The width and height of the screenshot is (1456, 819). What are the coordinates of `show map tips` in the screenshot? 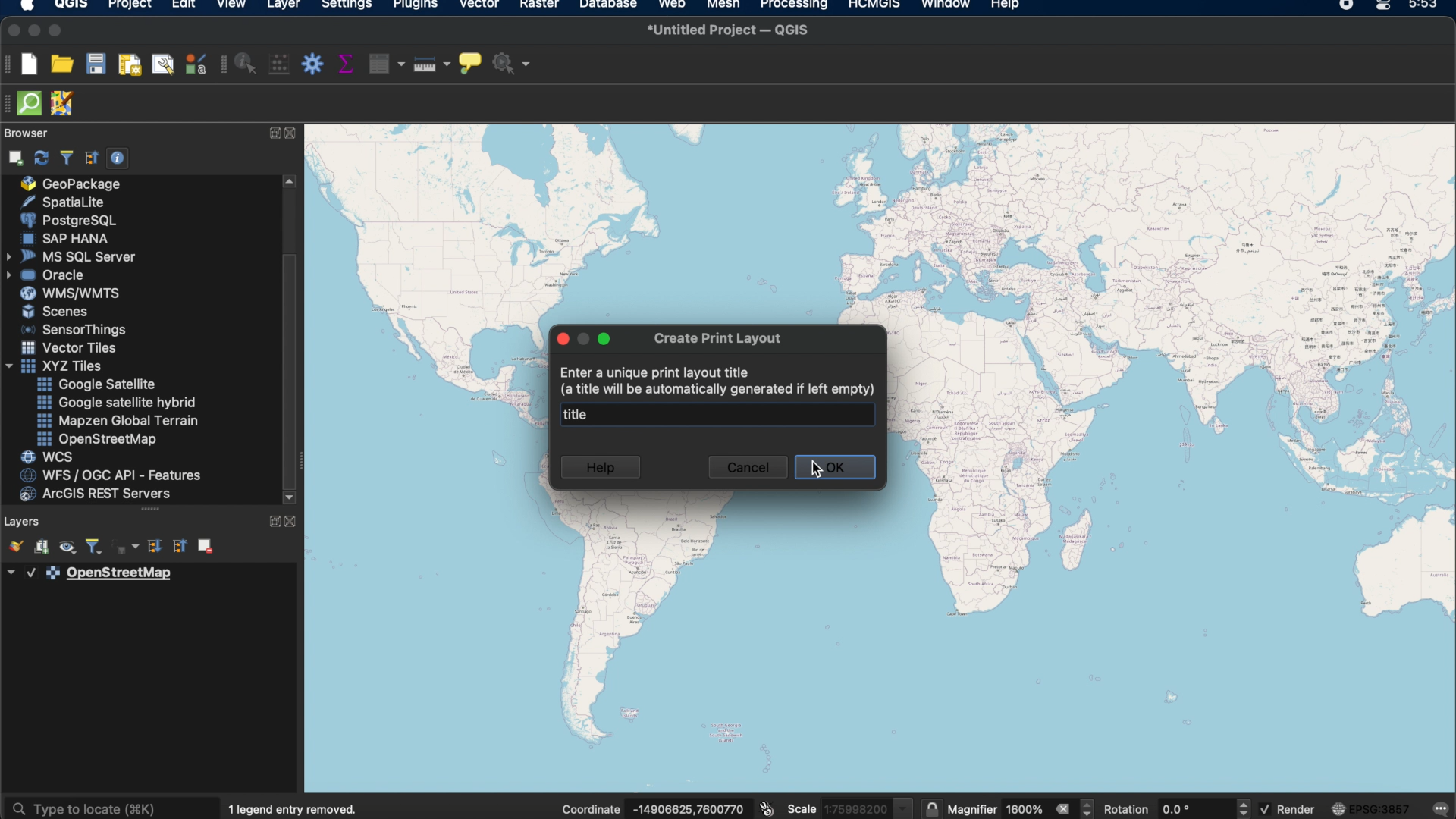 It's located at (471, 64).